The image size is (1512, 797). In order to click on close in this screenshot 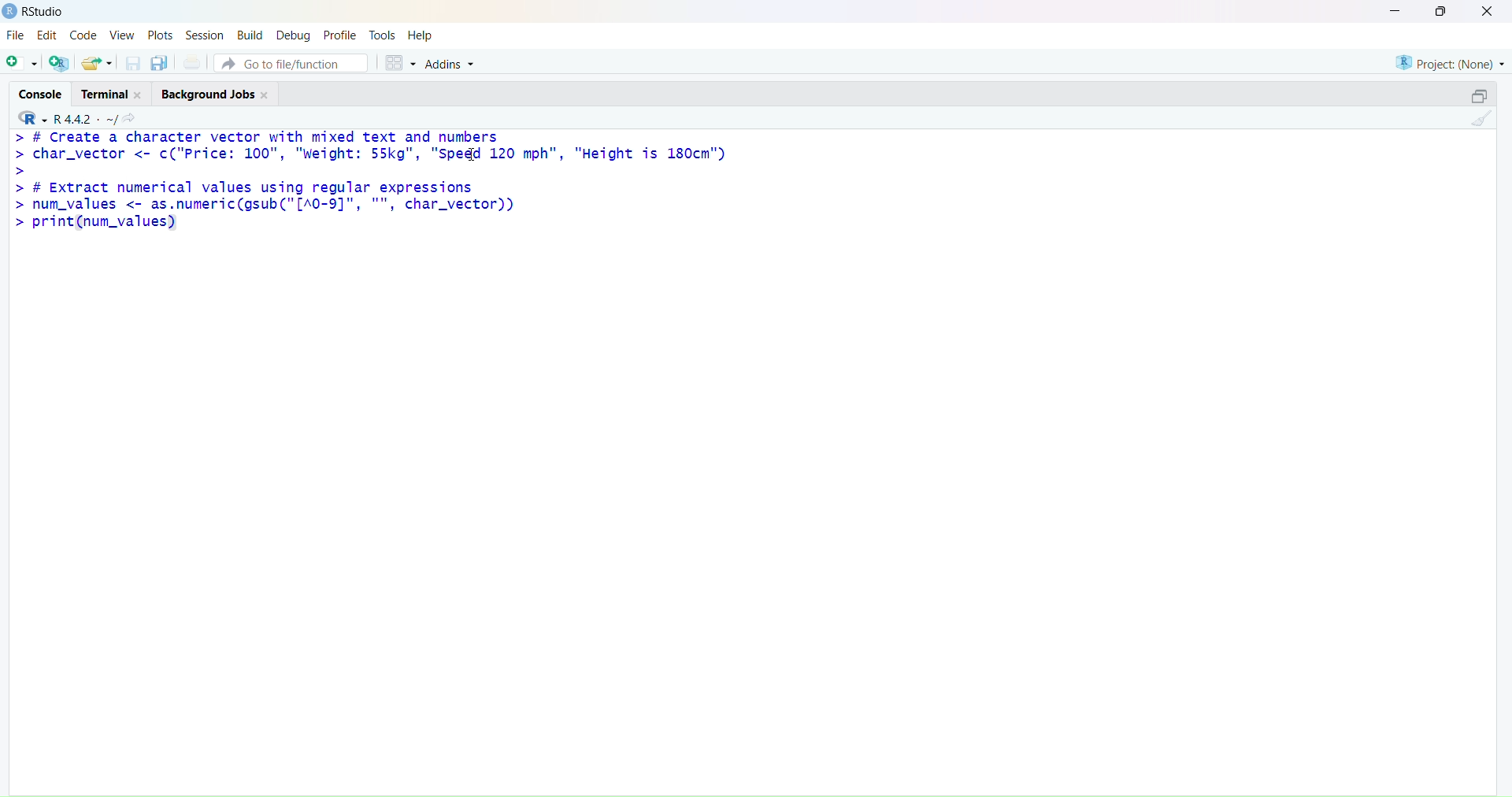, I will do `click(1488, 11)`.